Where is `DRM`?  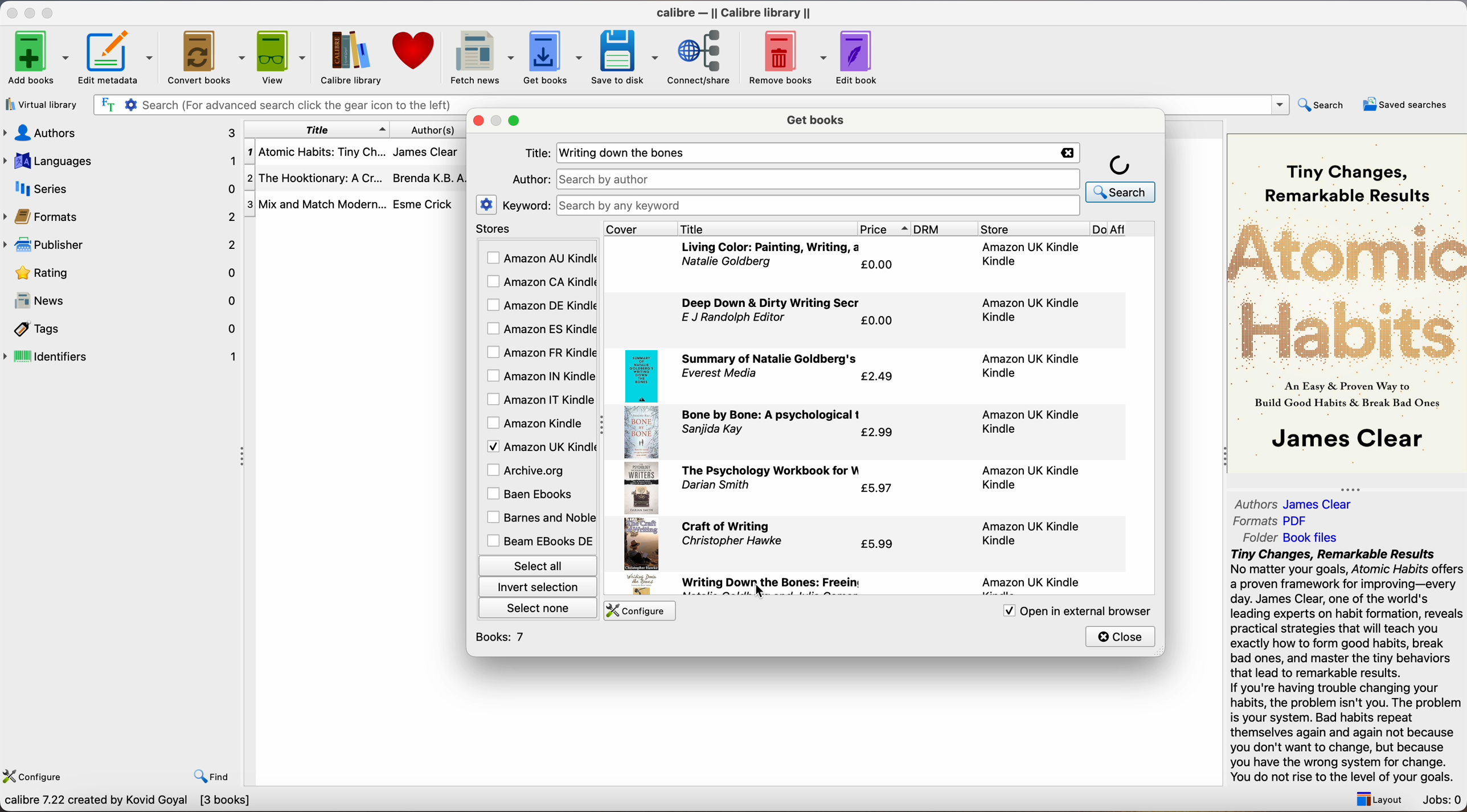 DRM is located at coordinates (946, 229).